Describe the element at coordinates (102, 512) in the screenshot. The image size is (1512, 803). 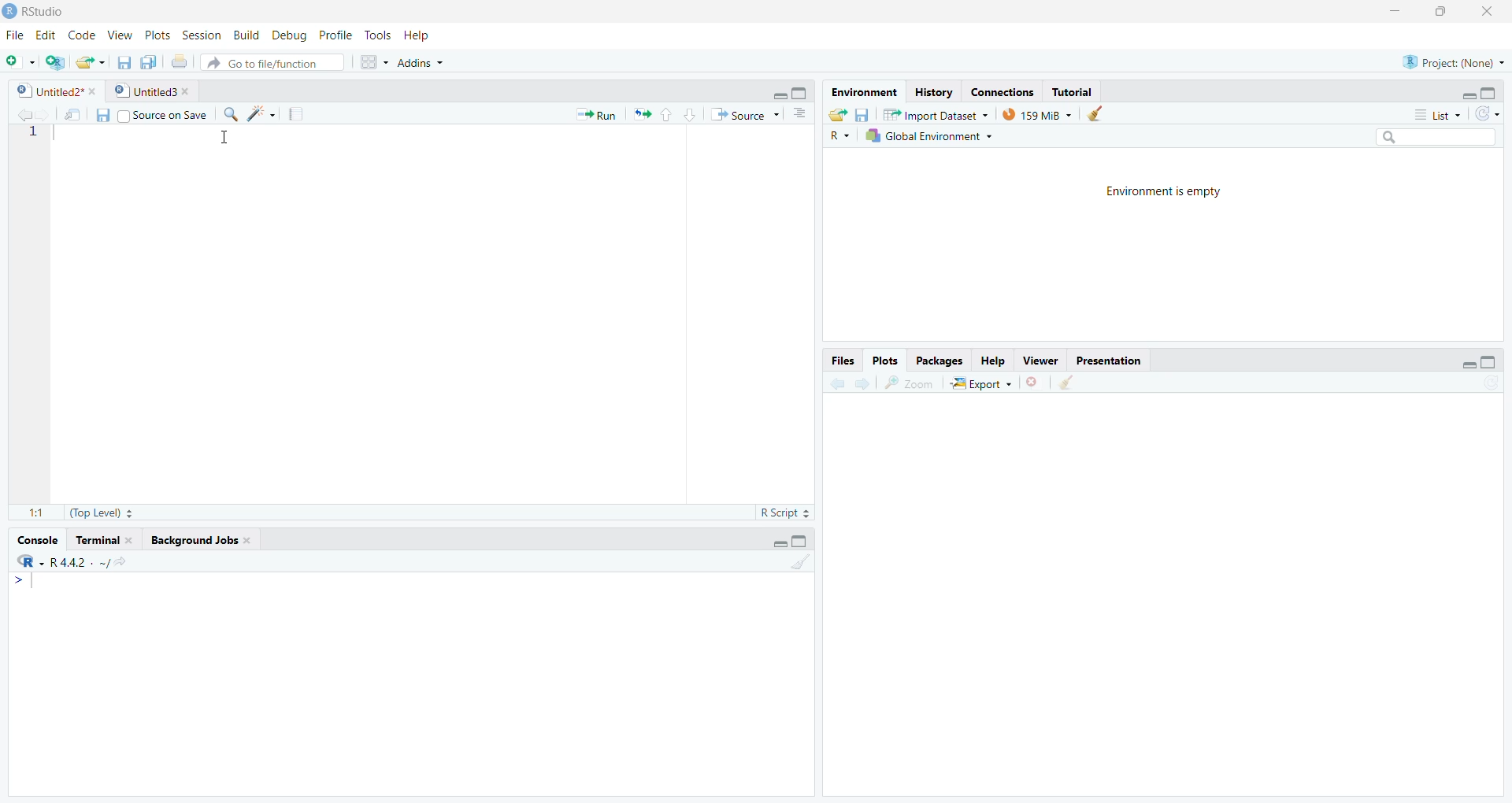
I see `Top Level` at that location.